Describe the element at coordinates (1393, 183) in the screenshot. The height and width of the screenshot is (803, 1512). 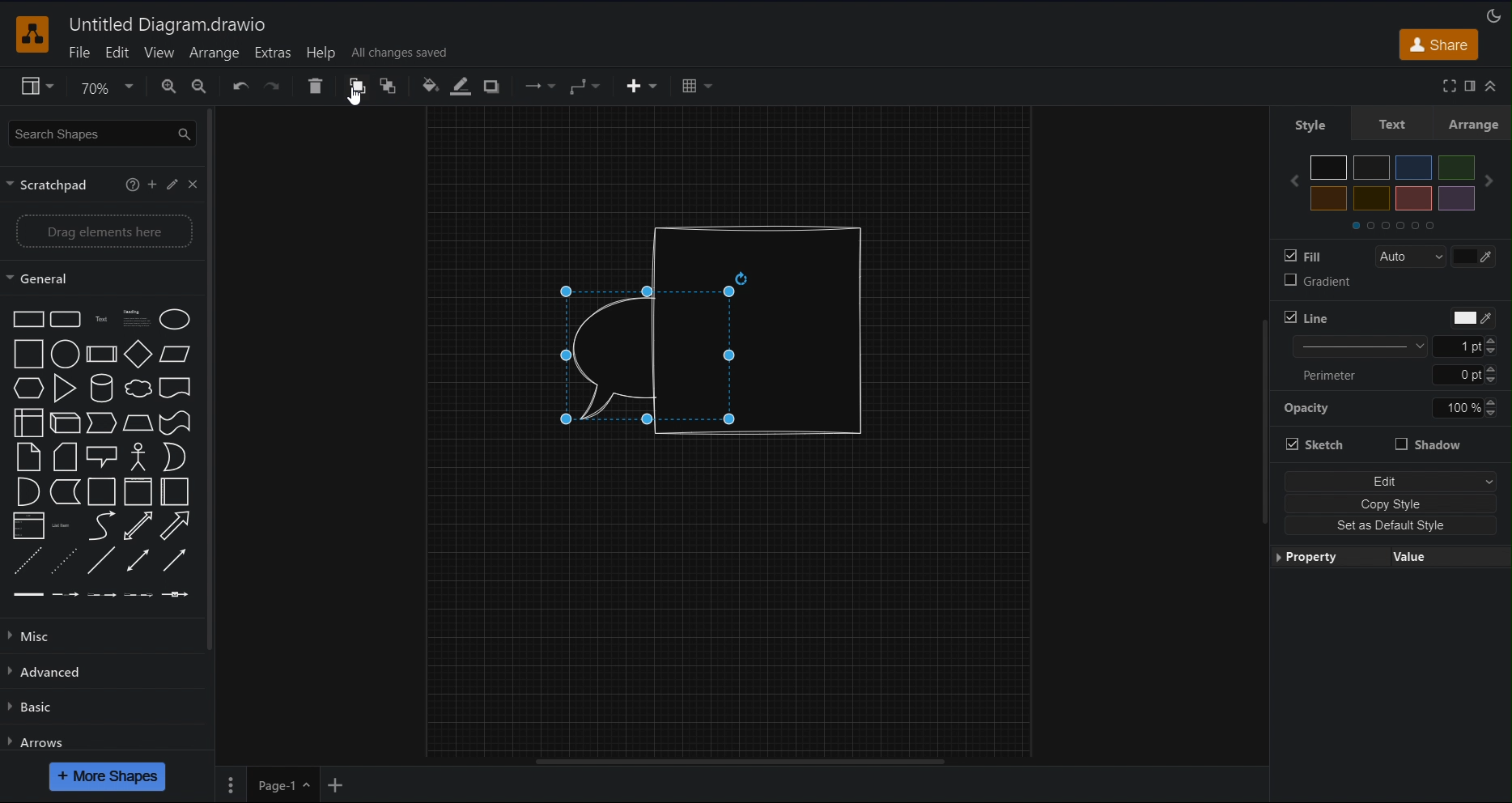
I see `Colors` at that location.